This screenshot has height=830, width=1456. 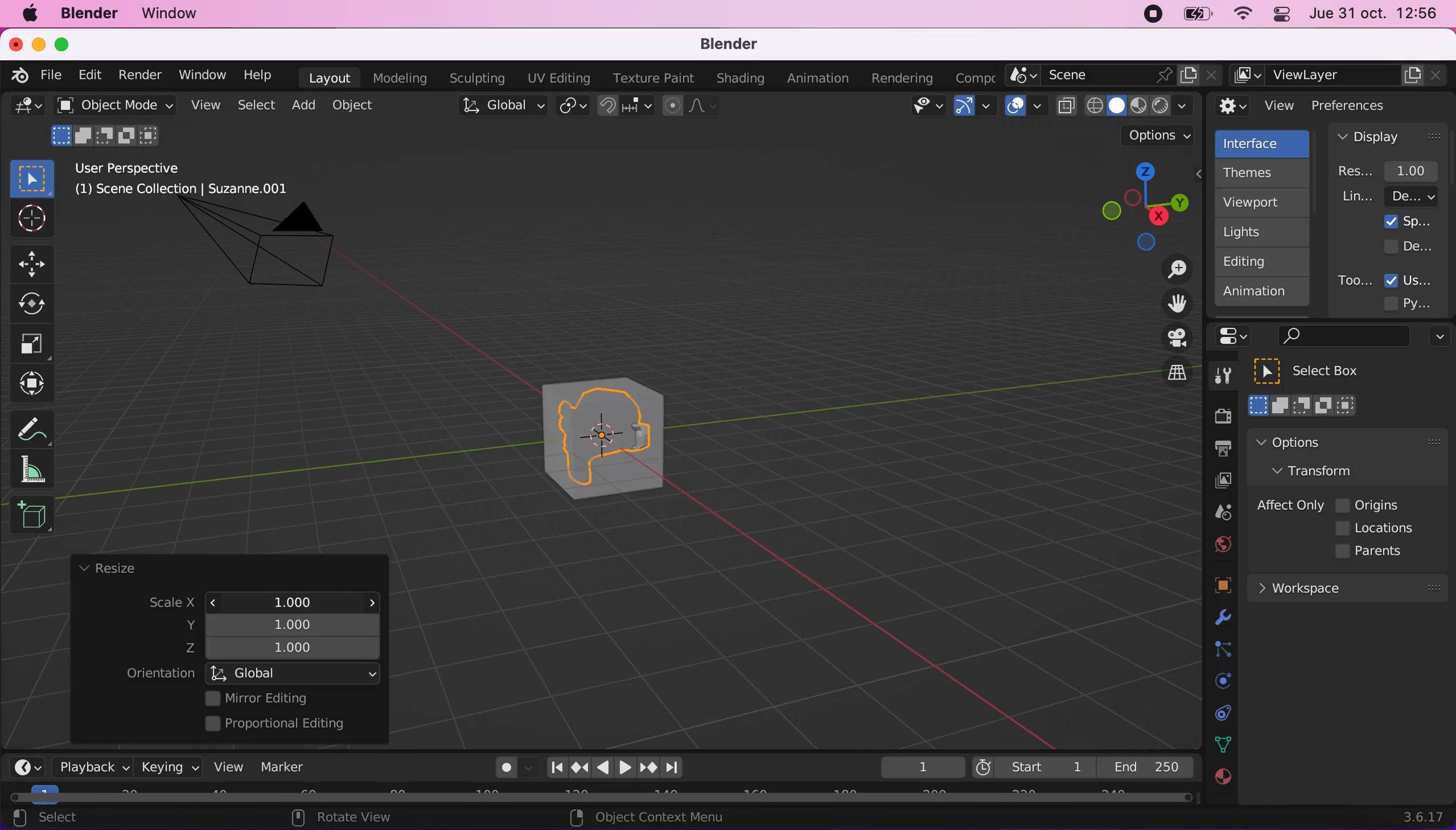 I want to click on render, so click(x=139, y=76).